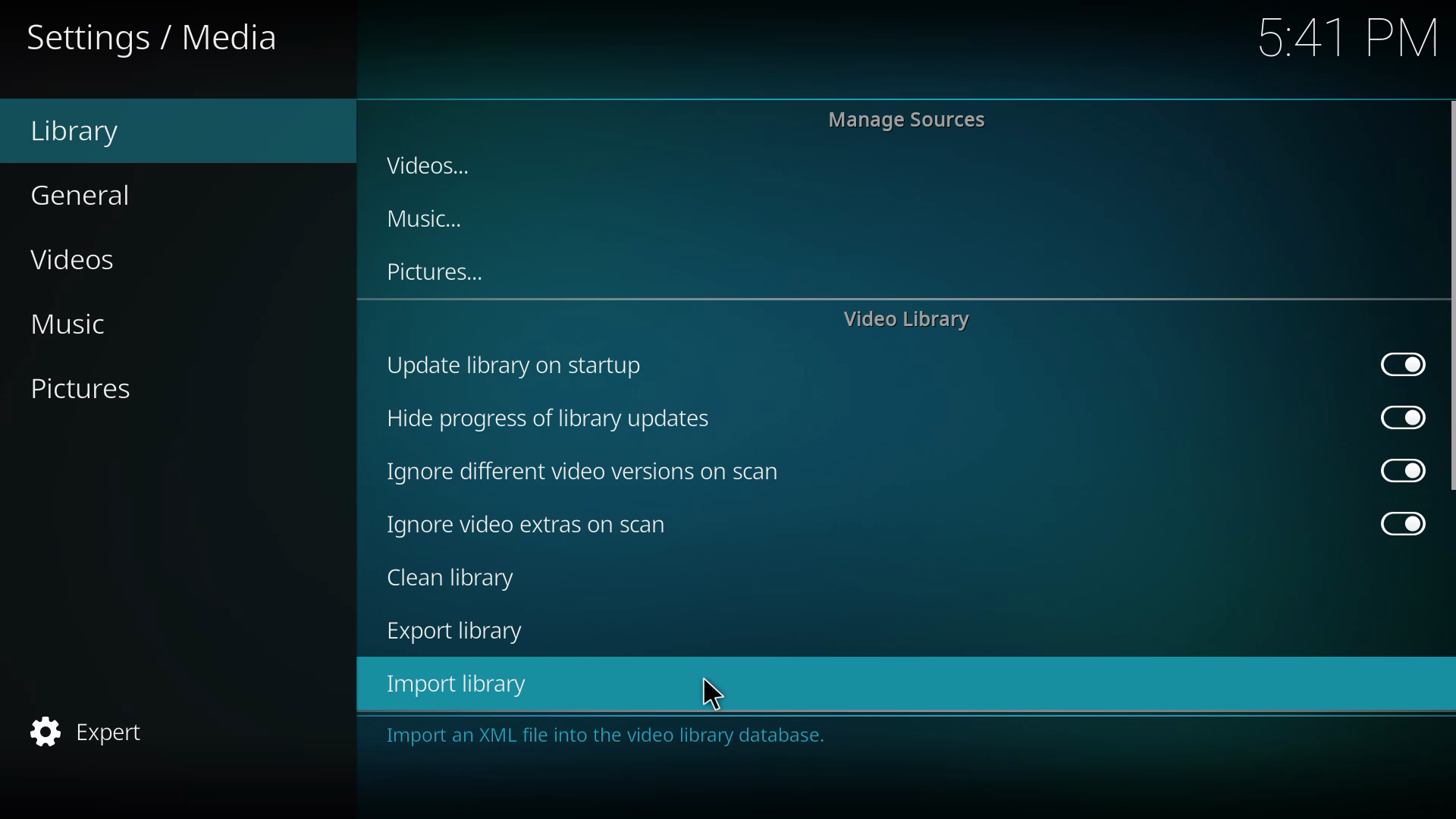  Describe the element at coordinates (1447, 294) in the screenshot. I see `scroll bar` at that location.